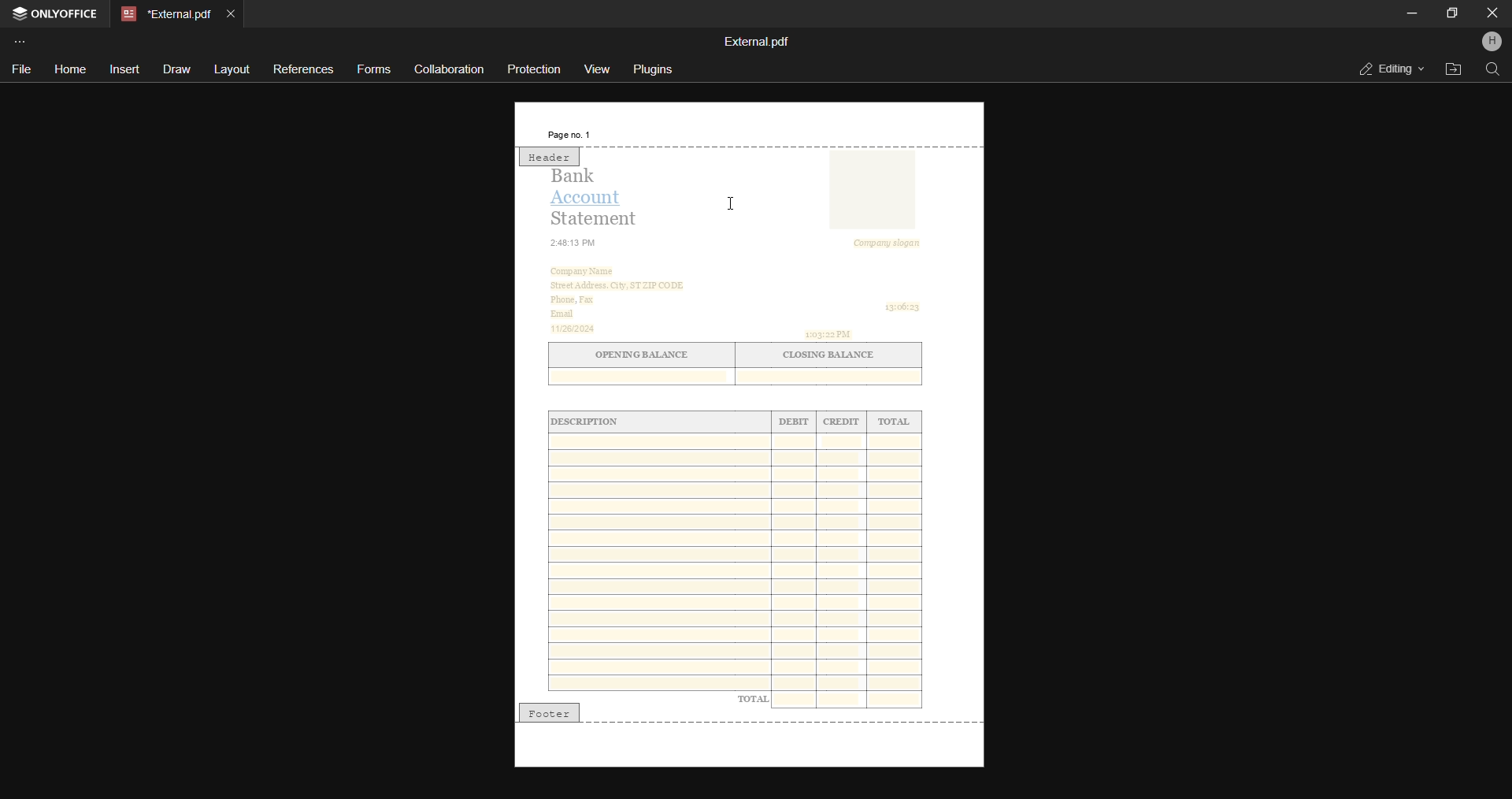 The width and height of the screenshot is (1512, 799). Describe the element at coordinates (69, 70) in the screenshot. I see `home` at that location.